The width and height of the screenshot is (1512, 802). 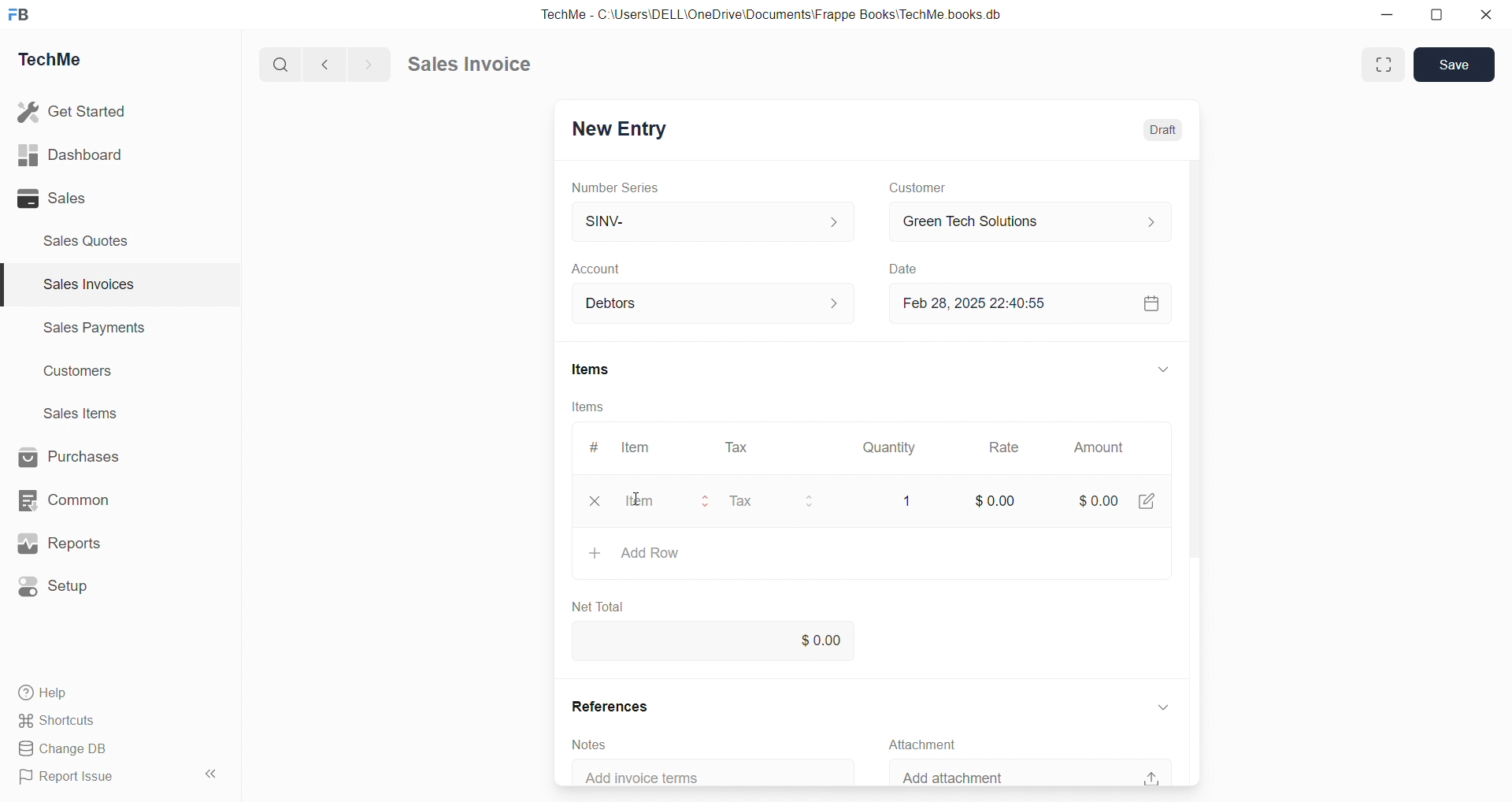 What do you see at coordinates (59, 721) in the screenshot?
I see `Shortcuts` at bounding box center [59, 721].